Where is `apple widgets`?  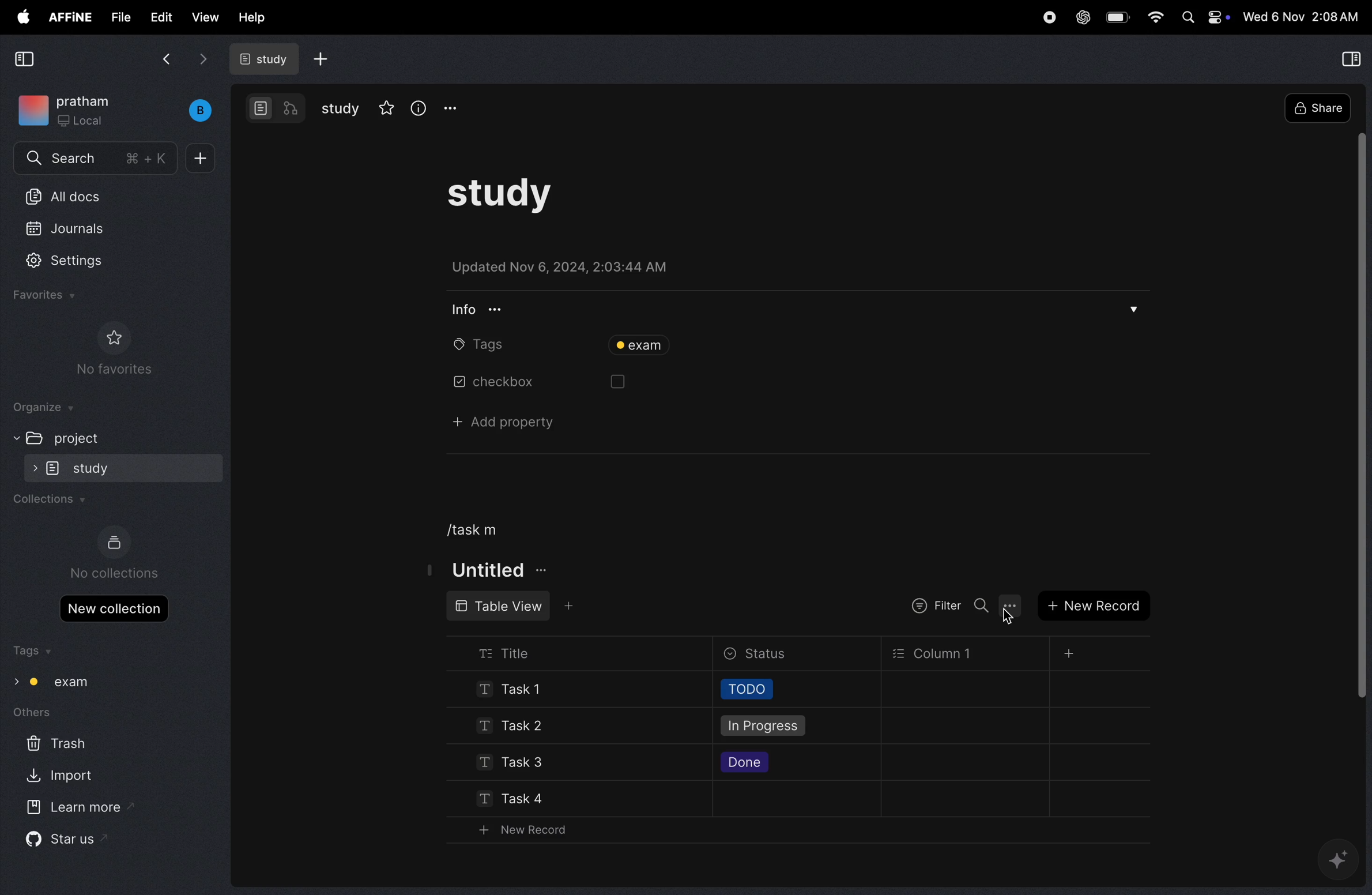
apple widgets is located at coordinates (1203, 17).